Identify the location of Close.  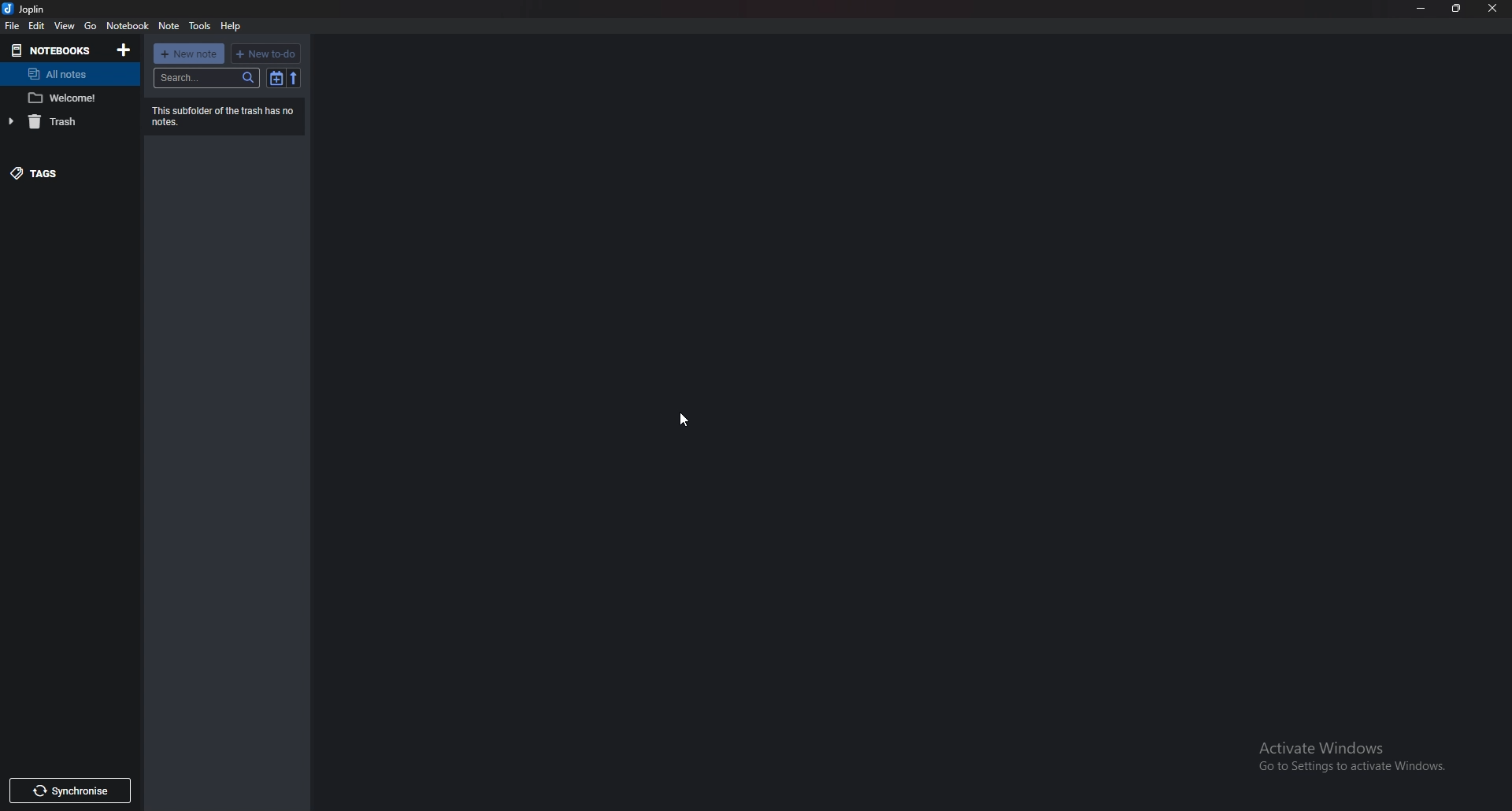
(1492, 8).